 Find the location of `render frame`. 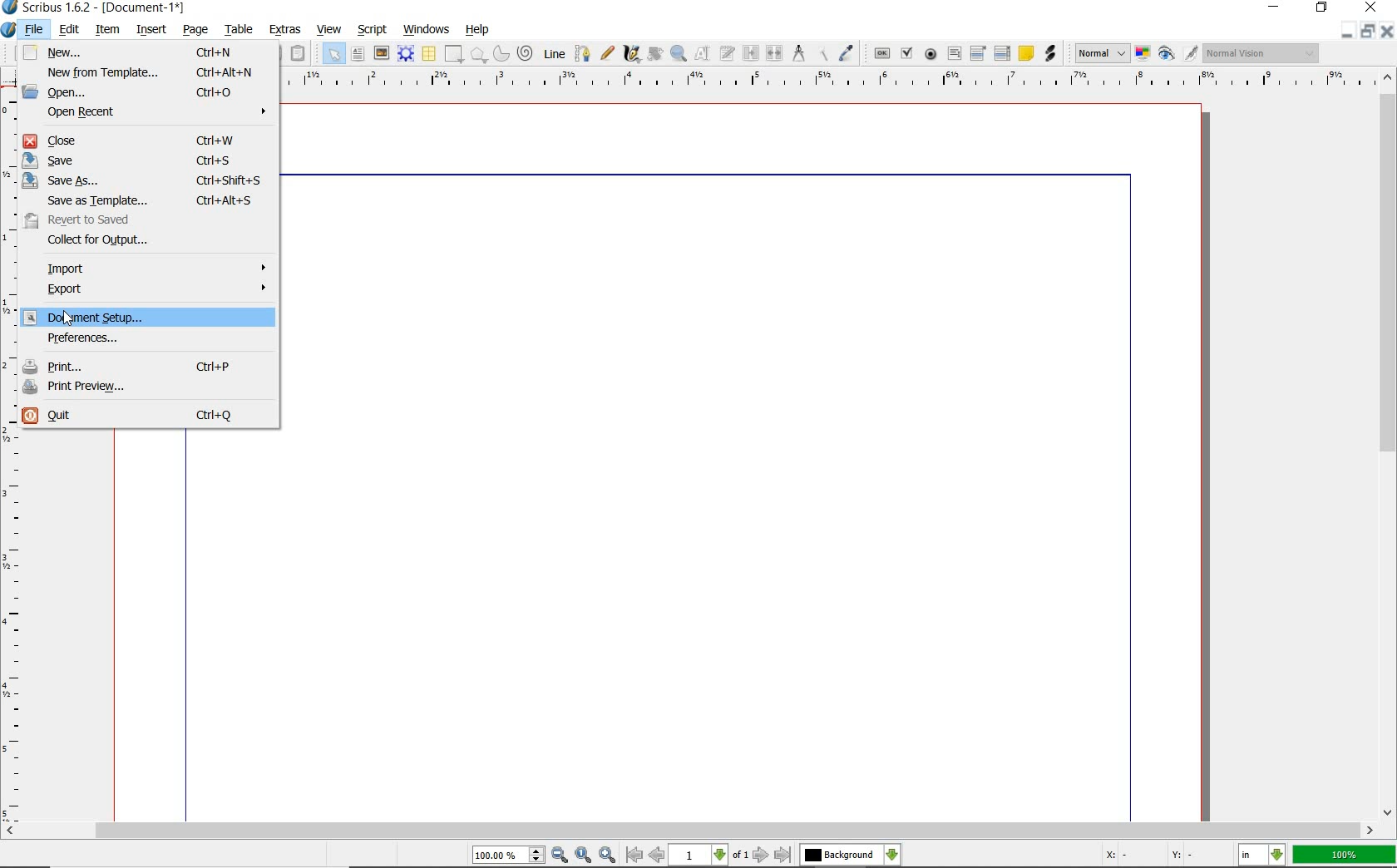

render frame is located at coordinates (406, 54).